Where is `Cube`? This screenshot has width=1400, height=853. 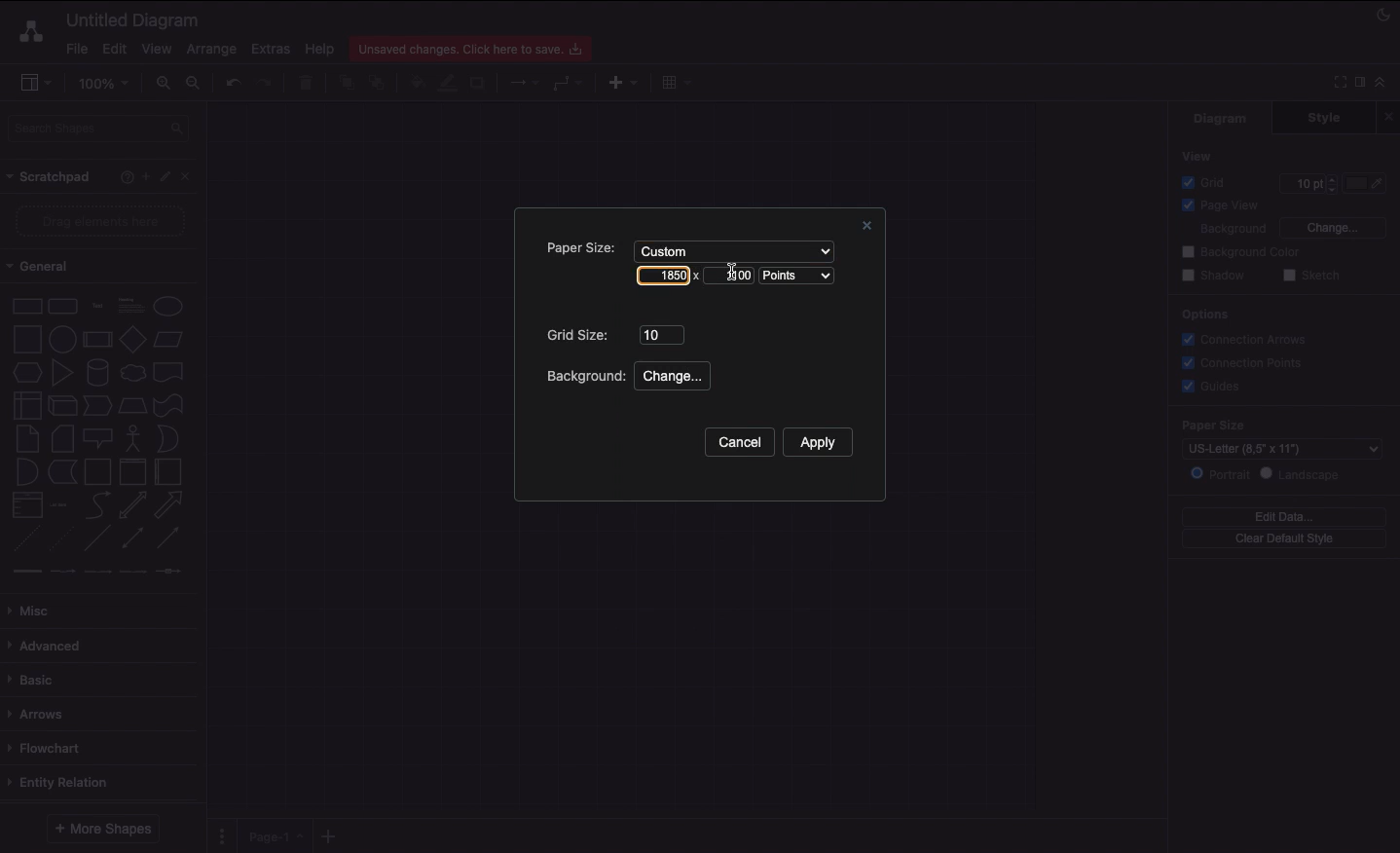
Cube is located at coordinates (62, 406).